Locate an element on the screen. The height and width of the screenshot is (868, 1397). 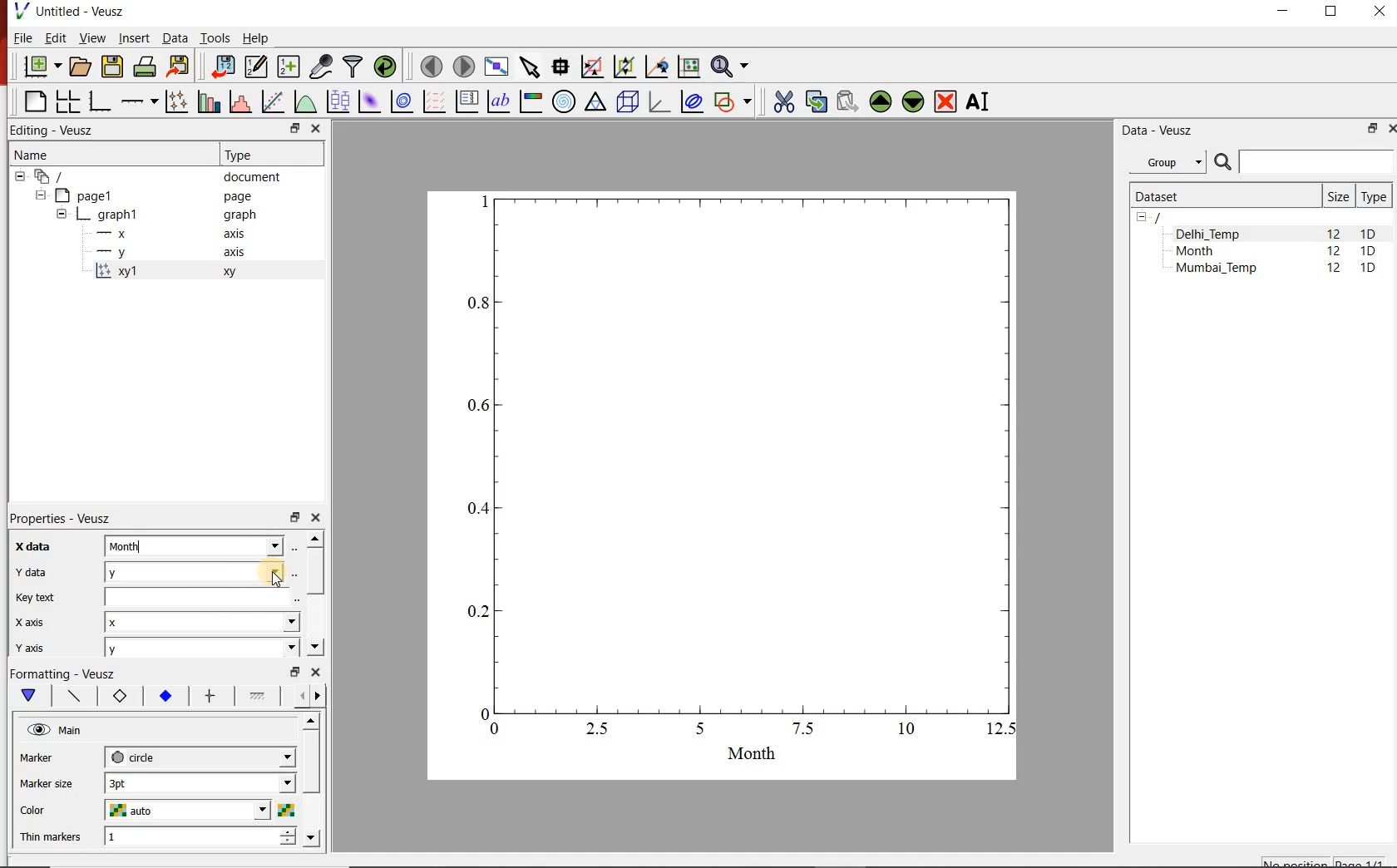
restore is located at coordinates (296, 128).